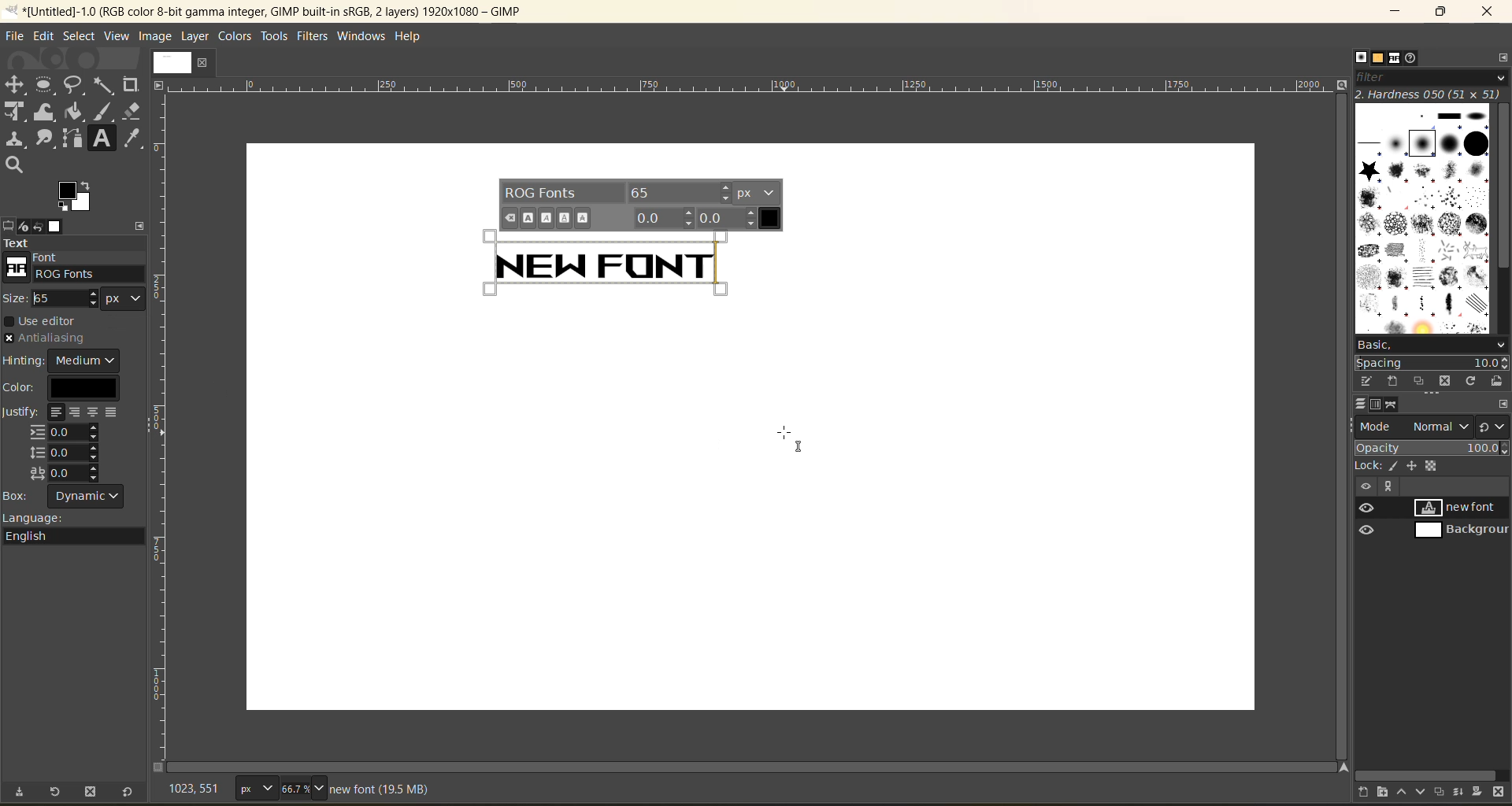  Describe the element at coordinates (73, 273) in the screenshot. I see `ROG fonts` at that location.